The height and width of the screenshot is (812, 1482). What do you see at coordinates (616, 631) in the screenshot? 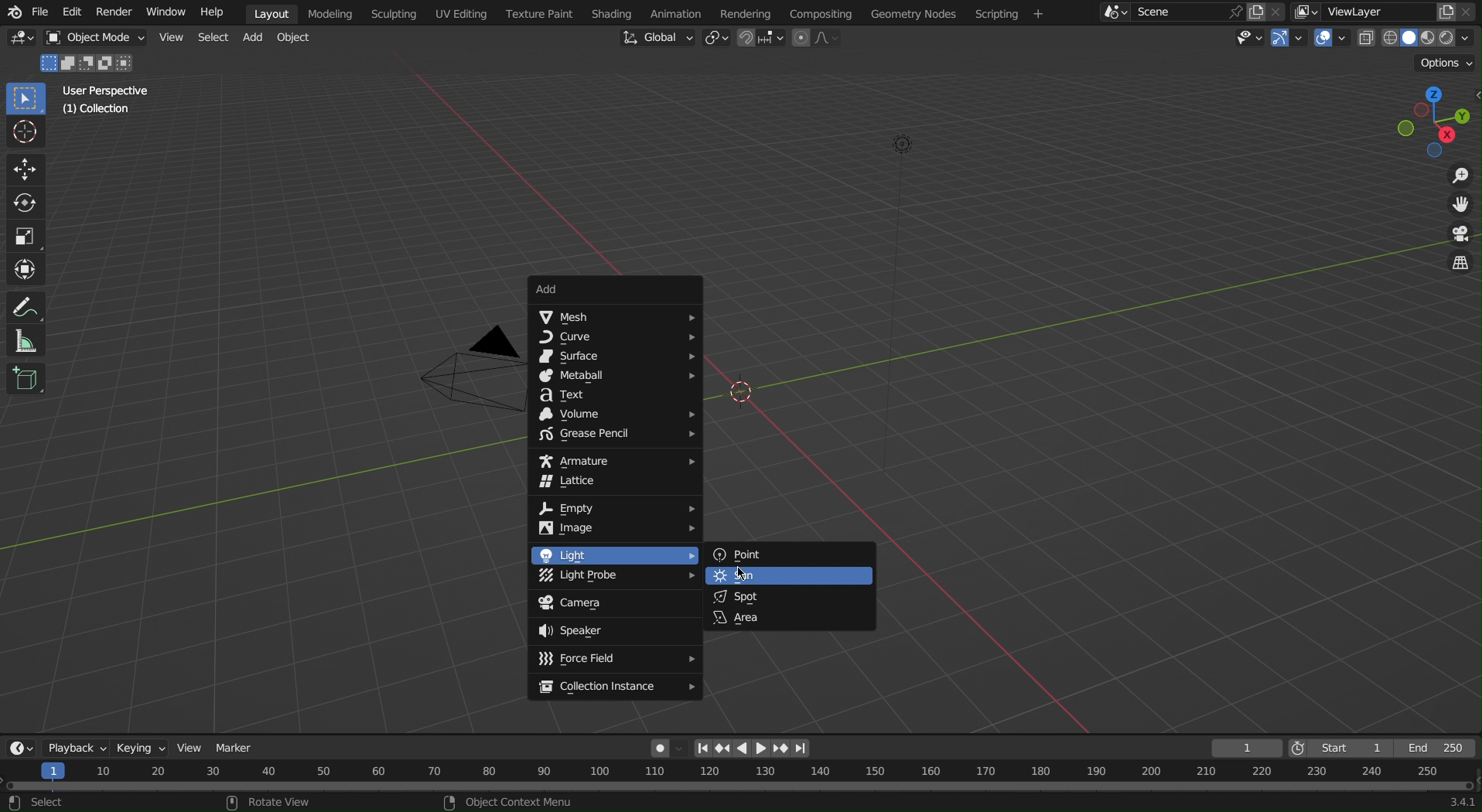
I see `Speaker` at bounding box center [616, 631].